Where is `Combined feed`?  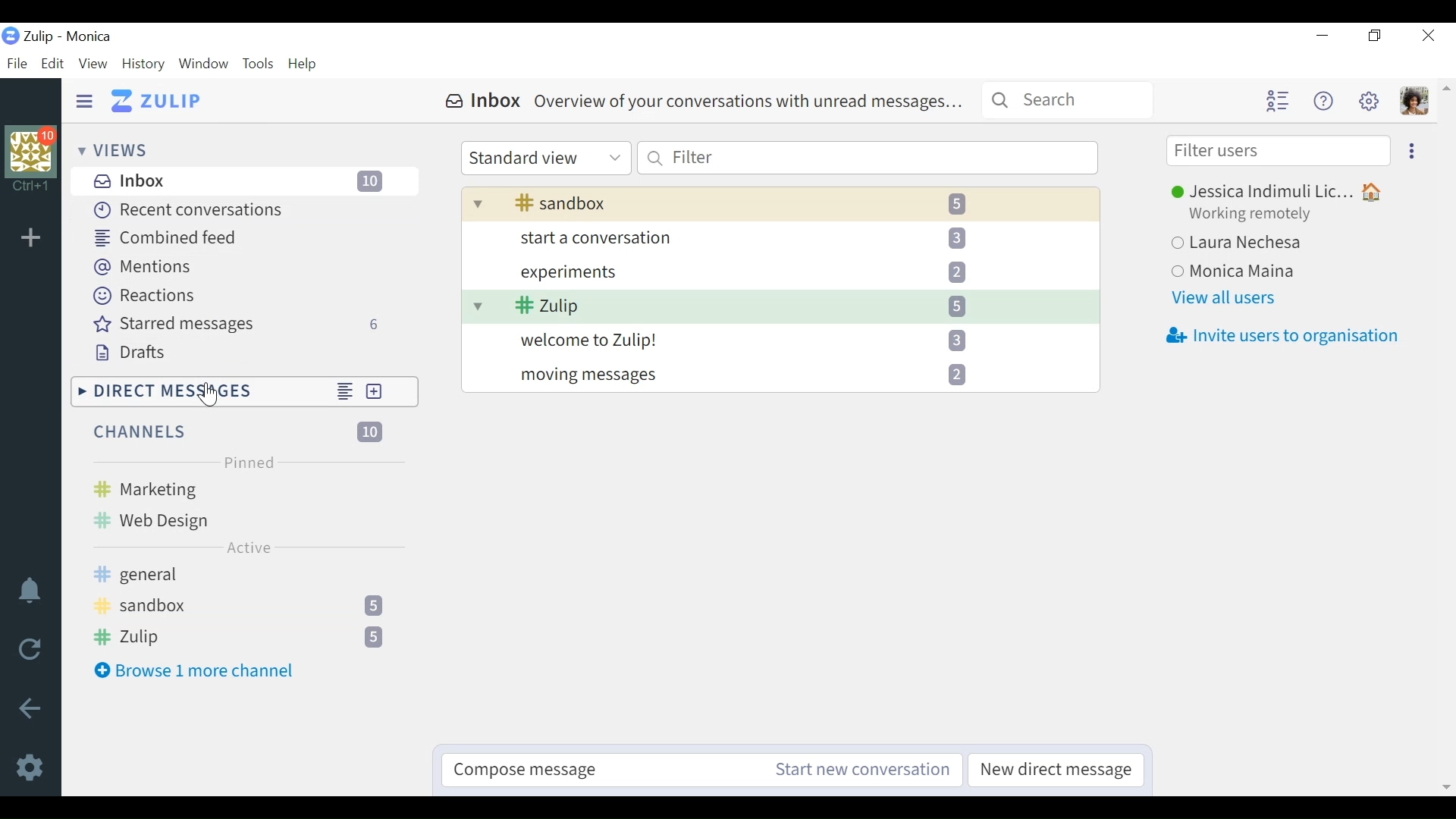
Combined feed is located at coordinates (170, 237).